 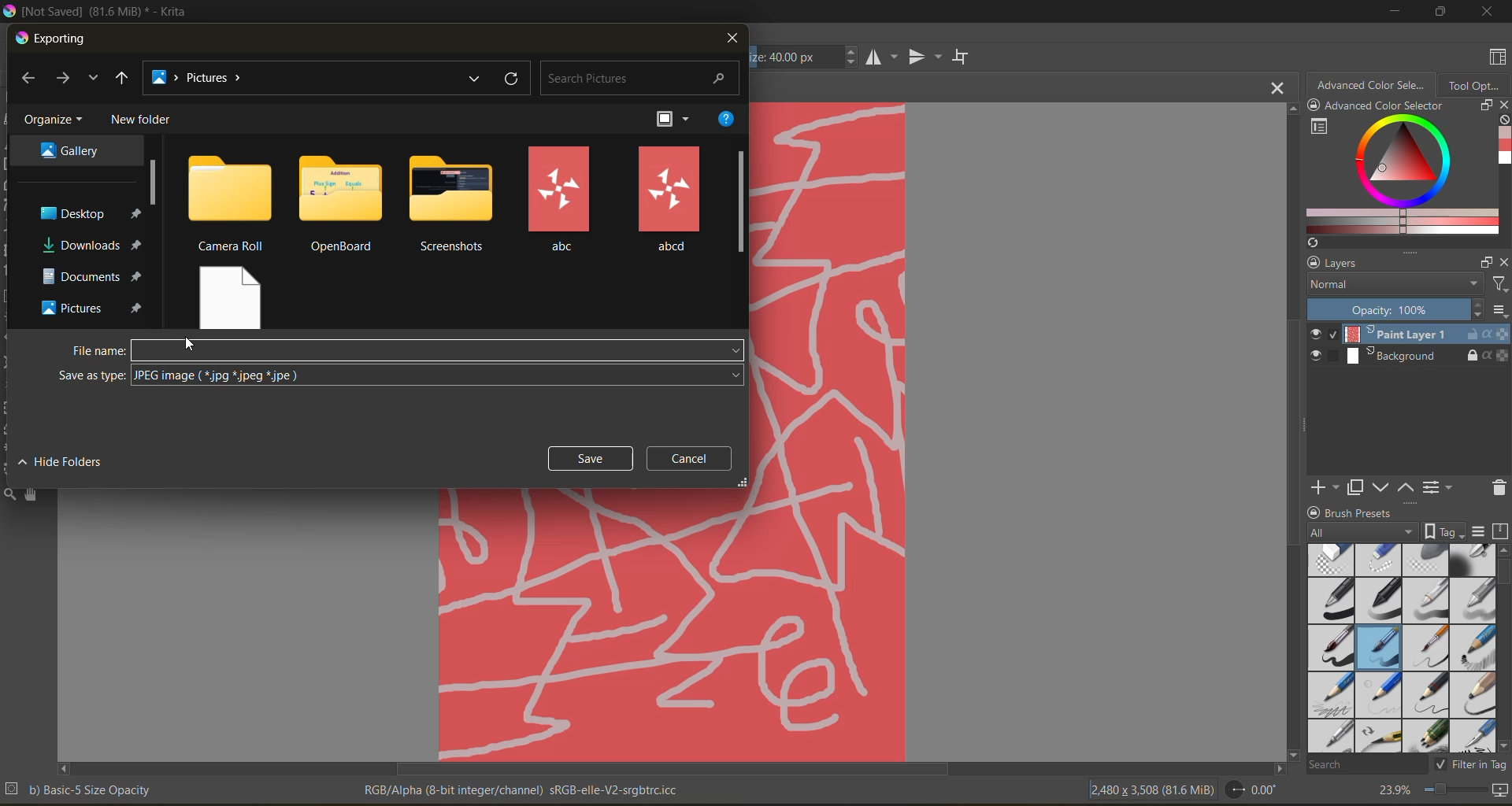 I want to click on save as type, so click(x=91, y=376).